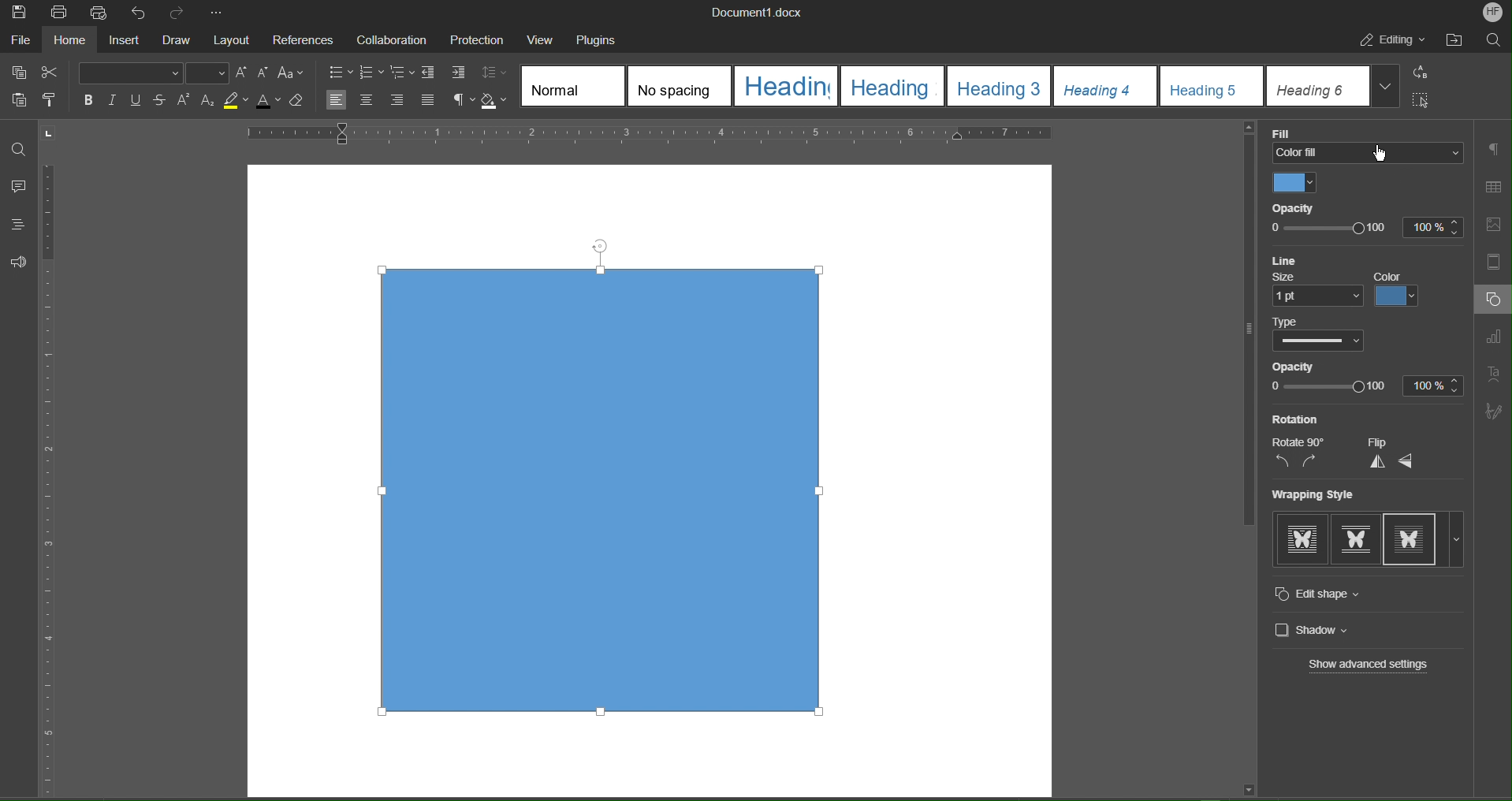 The height and width of the screenshot is (801, 1512). I want to click on Opacity, so click(1313, 366).